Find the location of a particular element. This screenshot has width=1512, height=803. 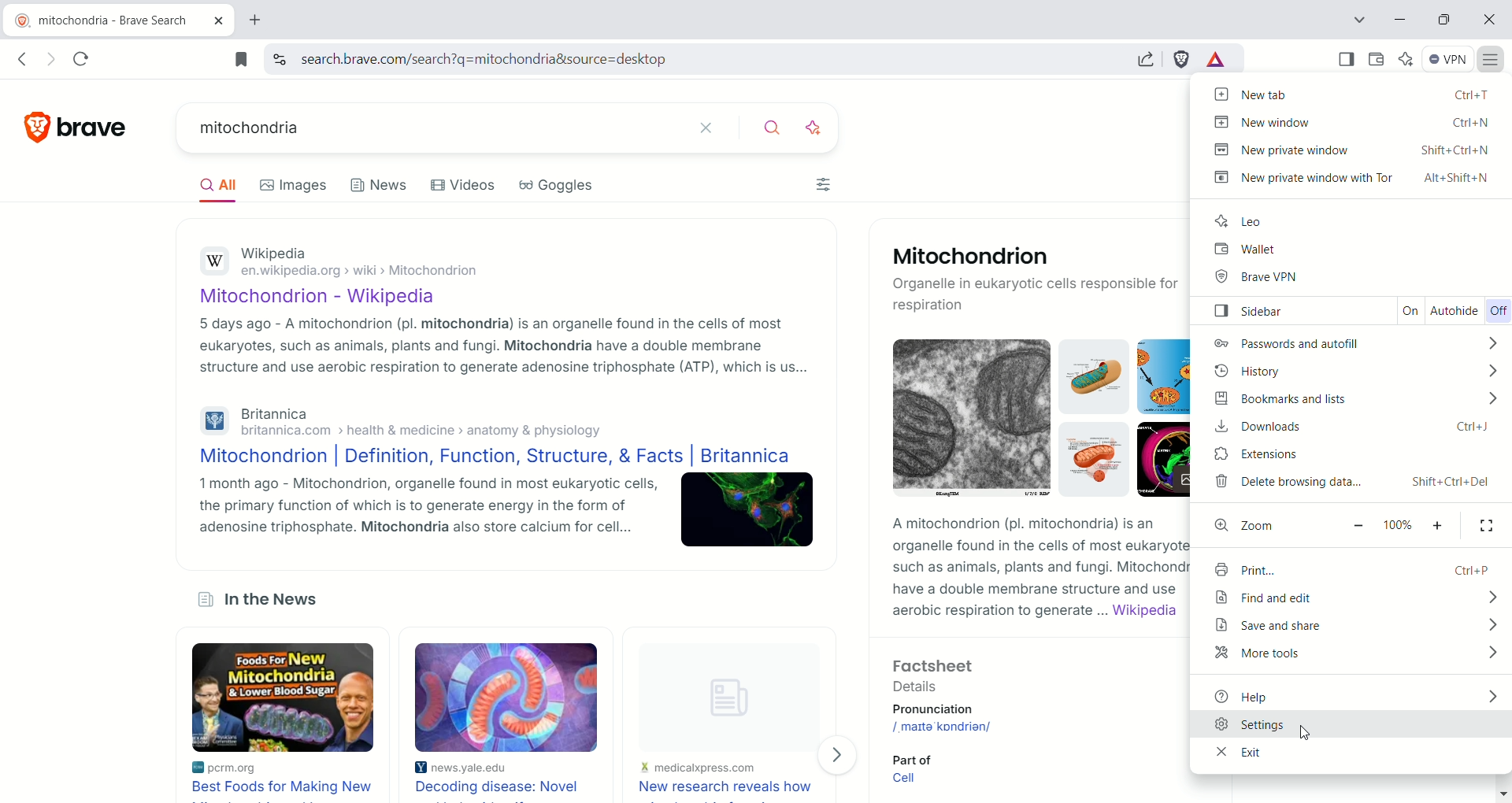

Factsheet
Details
Pronunciation is located at coordinates (966, 687).